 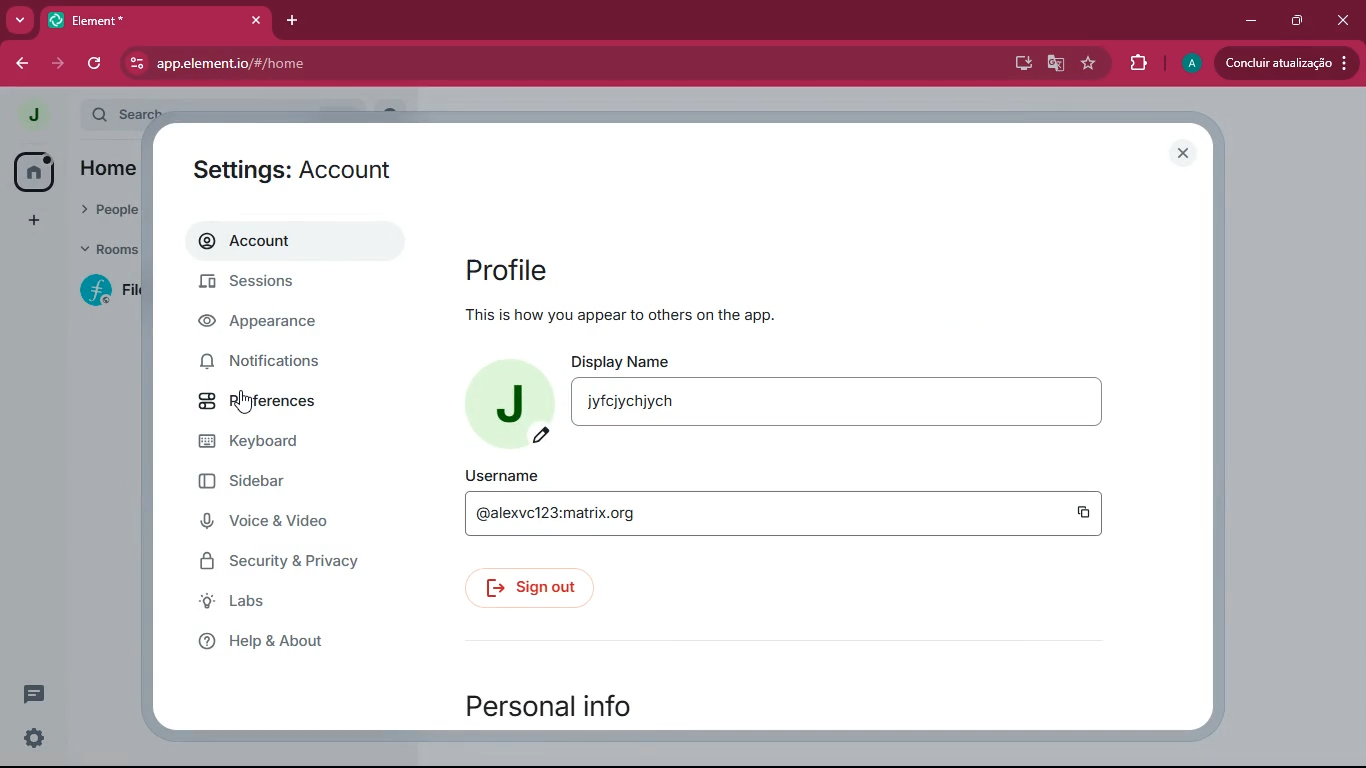 I want to click on cursor, so click(x=244, y=402).